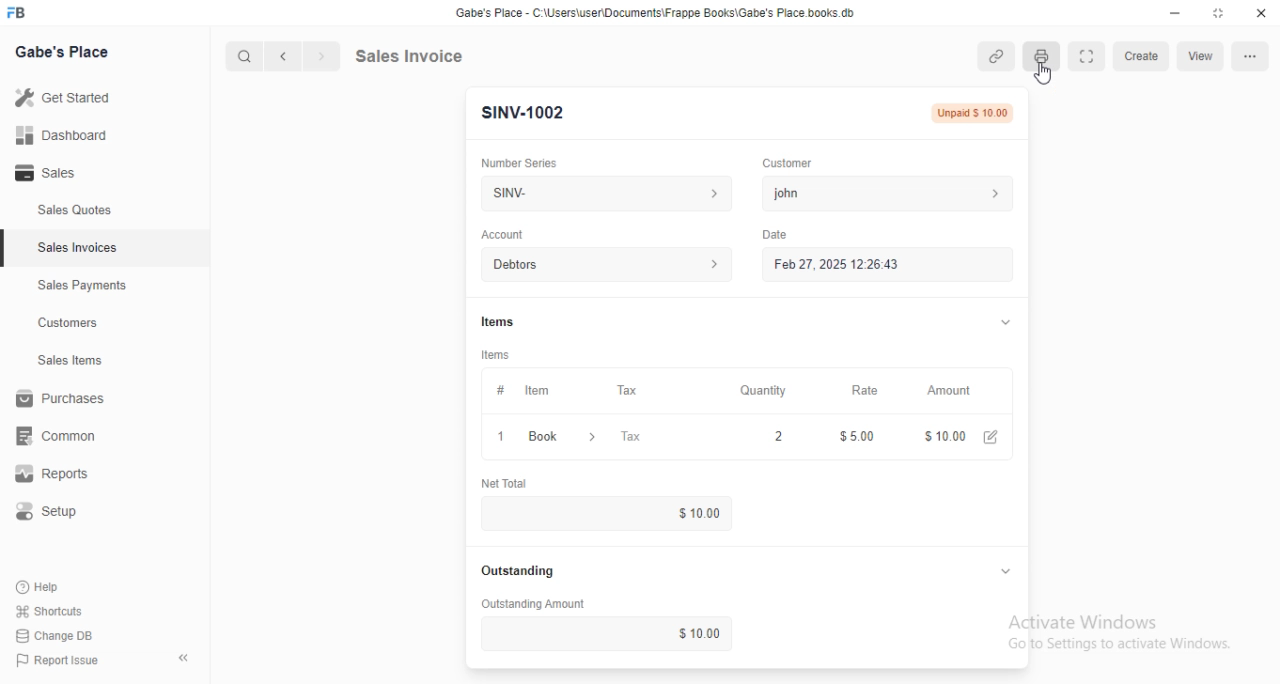  What do you see at coordinates (244, 56) in the screenshot?
I see `search` at bounding box center [244, 56].